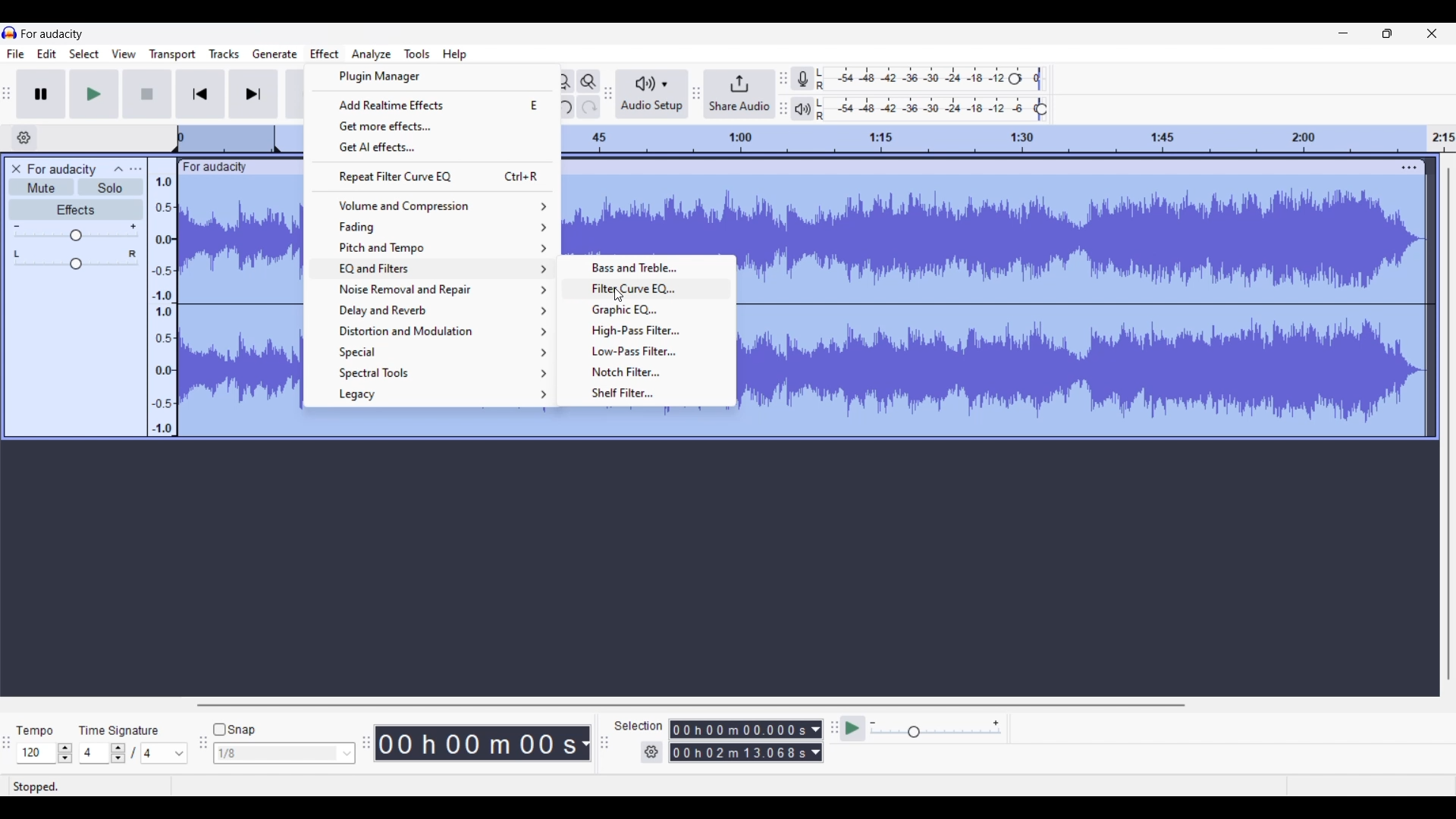  I want to click on Horizontal slide bar, so click(691, 705).